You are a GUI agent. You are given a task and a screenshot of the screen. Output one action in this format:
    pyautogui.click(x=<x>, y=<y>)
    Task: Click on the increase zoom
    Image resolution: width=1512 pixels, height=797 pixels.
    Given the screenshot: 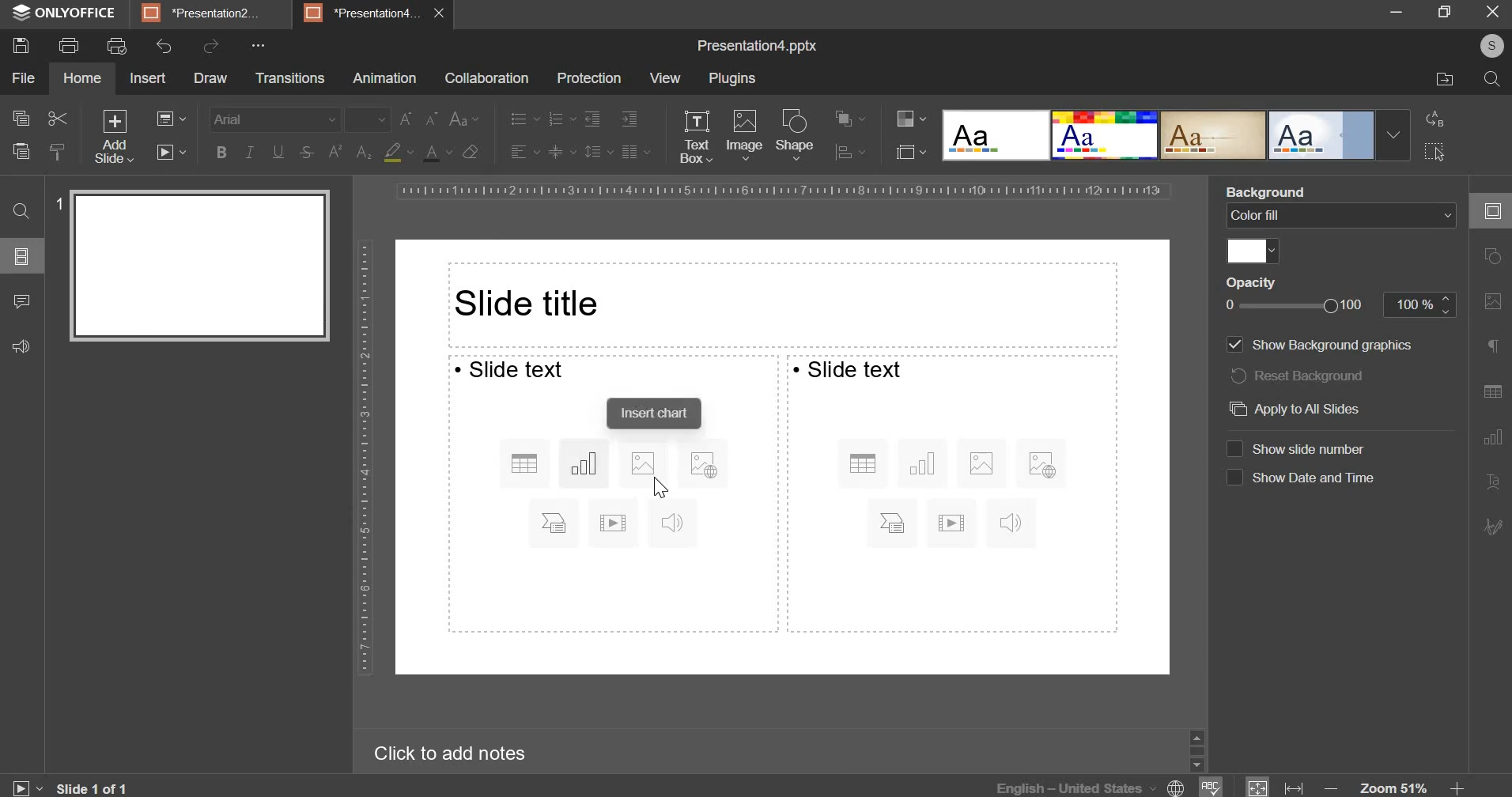 What is the action you would take?
    pyautogui.click(x=1457, y=788)
    